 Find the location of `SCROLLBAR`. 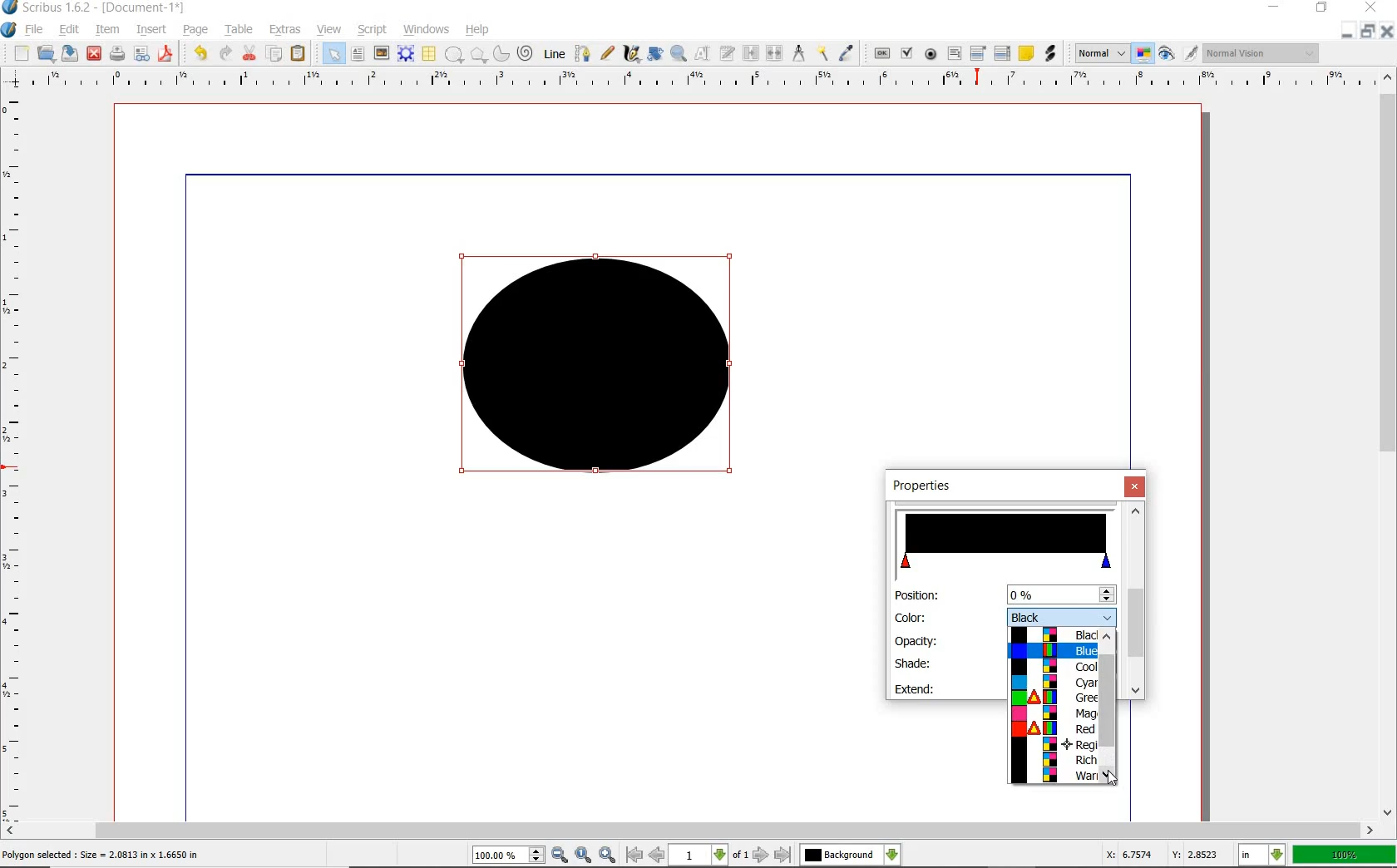

SCROLLBAR is located at coordinates (689, 831).